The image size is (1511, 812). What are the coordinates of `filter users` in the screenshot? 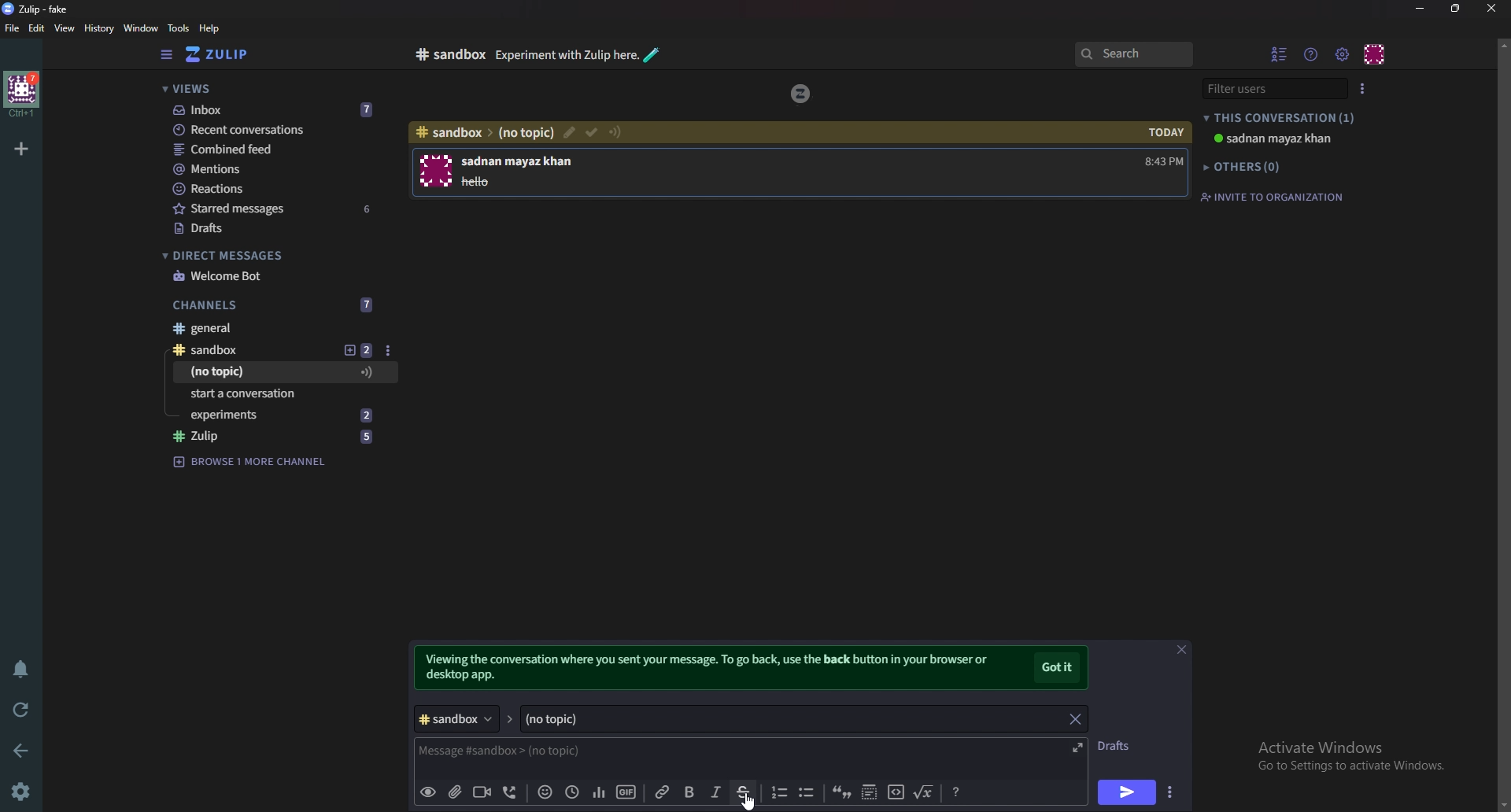 It's located at (1273, 89).